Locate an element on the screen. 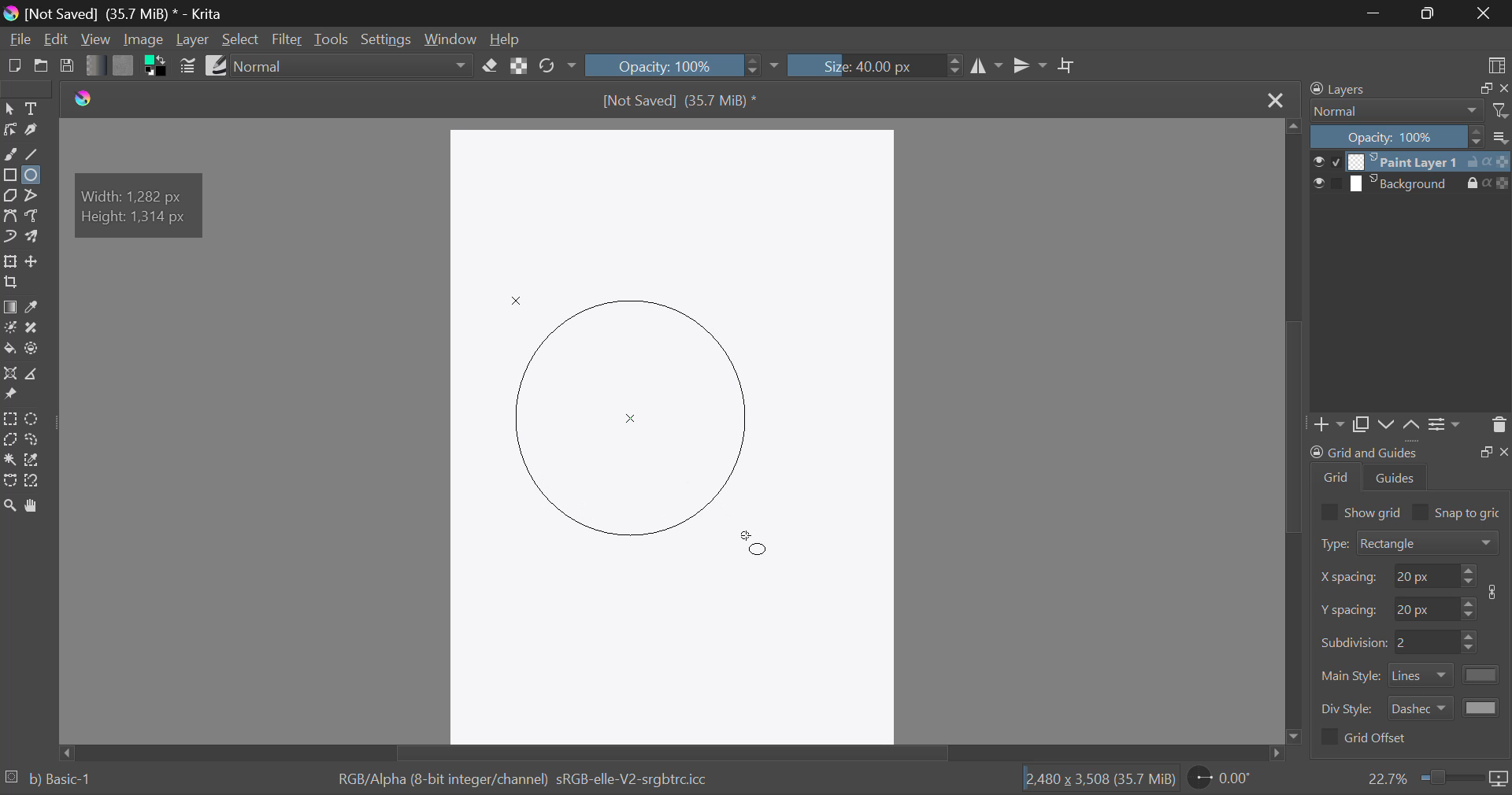 This screenshot has width=1512, height=795. Layers Docker Tab is located at coordinates (1405, 91).